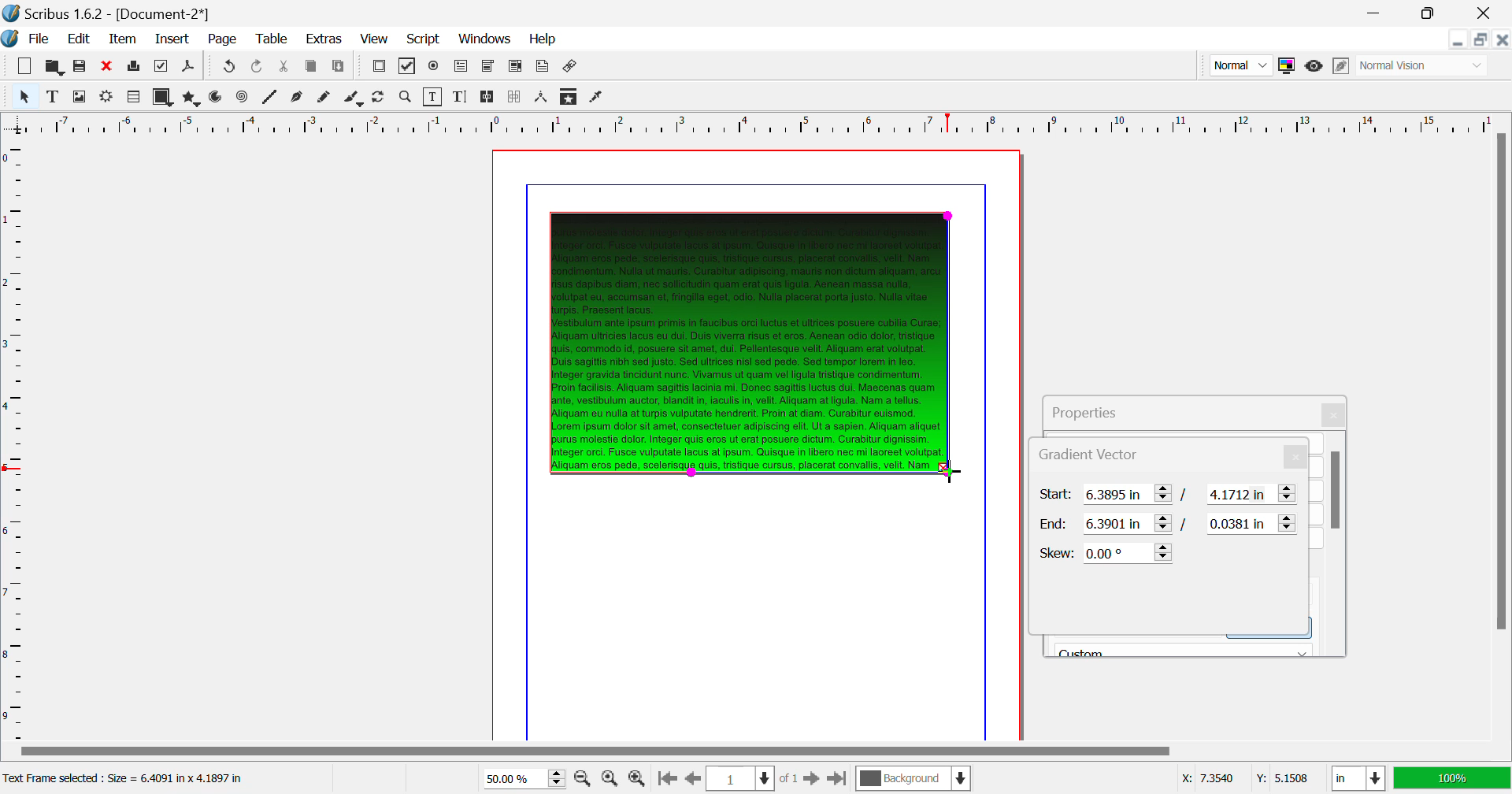 The height and width of the screenshot is (794, 1512). Describe the element at coordinates (1359, 780) in the screenshot. I see `Measurement Units` at that location.